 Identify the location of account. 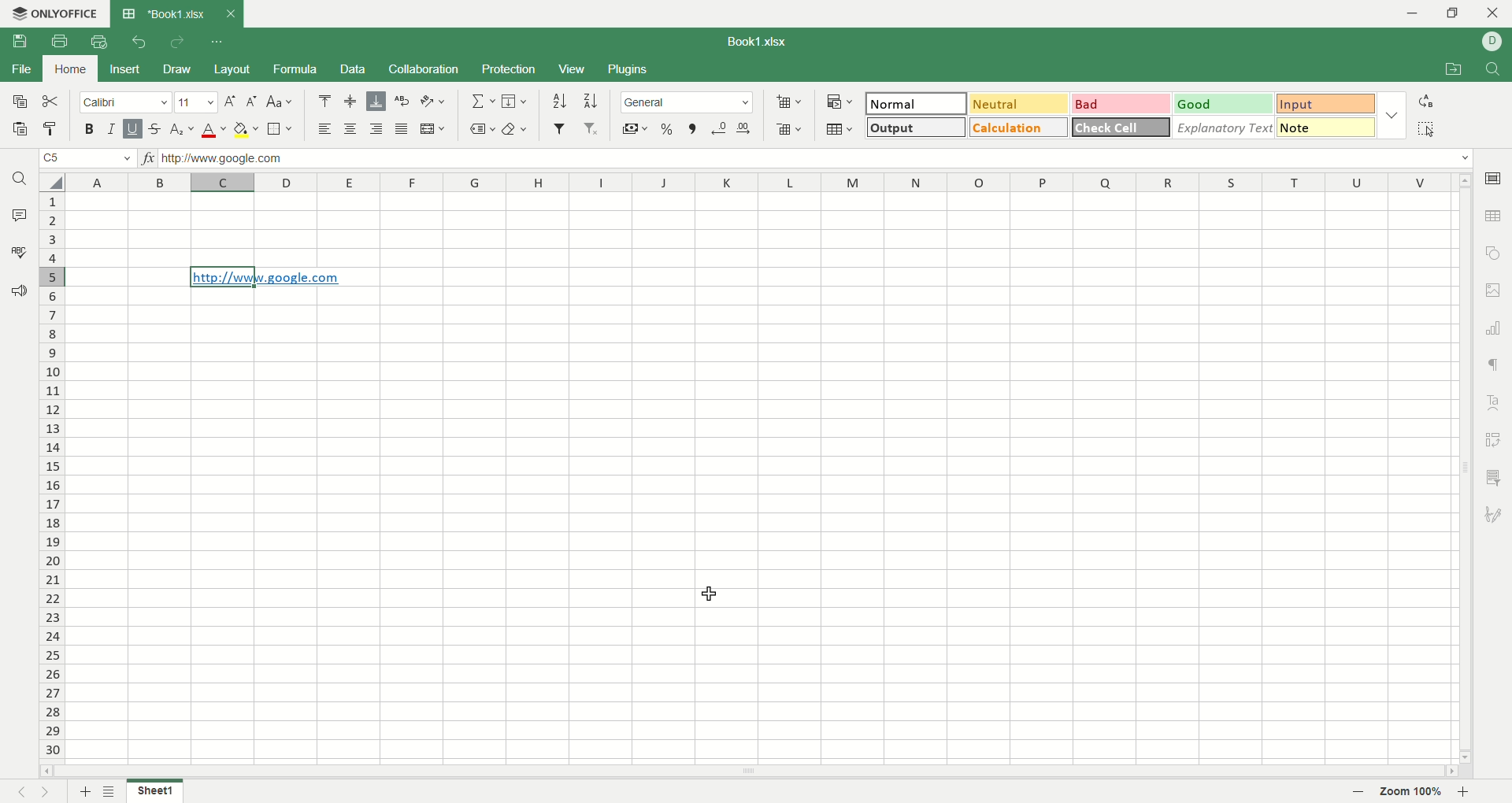
(1492, 41).